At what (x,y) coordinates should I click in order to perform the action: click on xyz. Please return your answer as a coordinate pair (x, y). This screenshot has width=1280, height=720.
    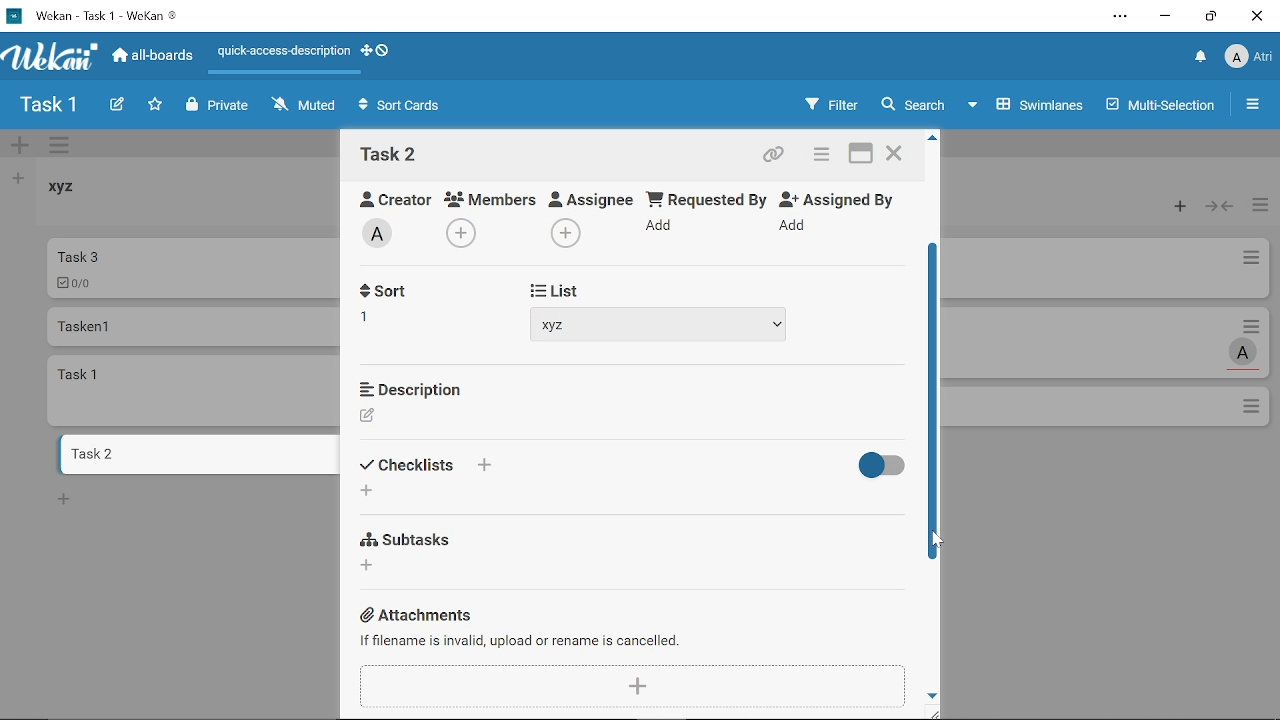
    Looking at the image, I should click on (661, 326).